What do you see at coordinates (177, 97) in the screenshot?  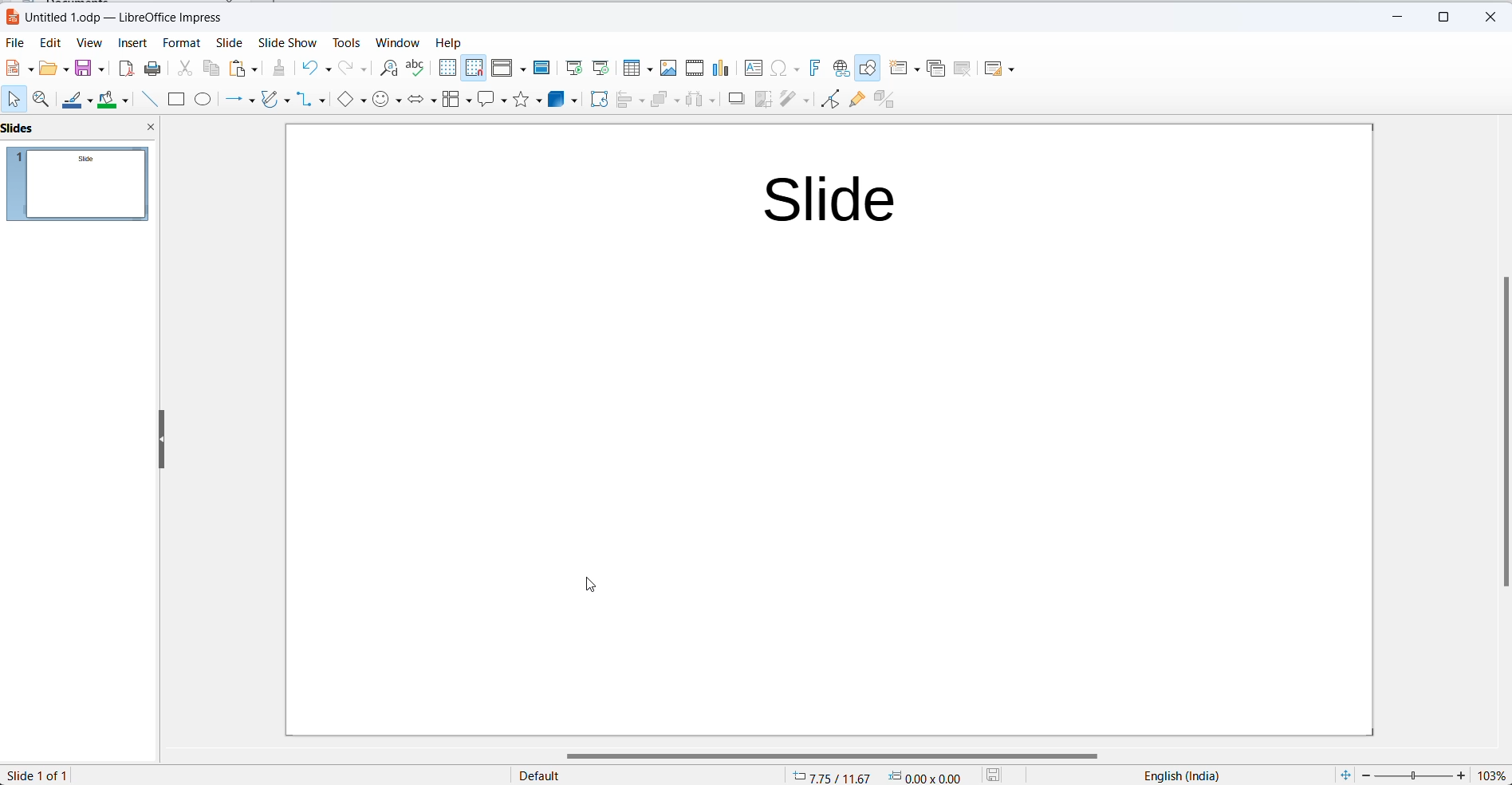 I see `rectangle` at bounding box center [177, 97].